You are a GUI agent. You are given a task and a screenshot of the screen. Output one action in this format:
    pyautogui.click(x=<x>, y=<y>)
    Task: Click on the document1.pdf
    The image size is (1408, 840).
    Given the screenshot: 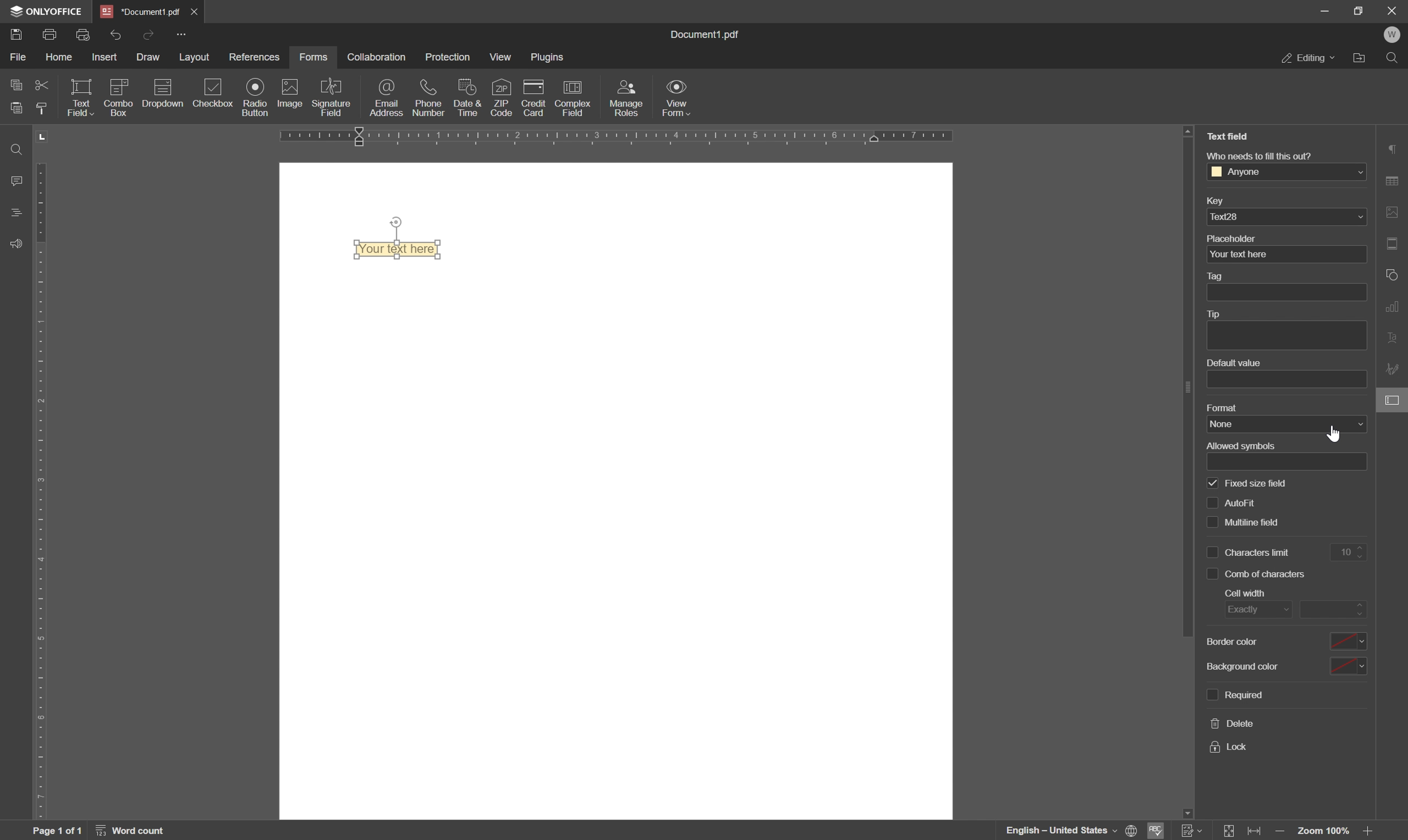 What is the action you would take?
    pyautogui.click(x=699, y=33)
    